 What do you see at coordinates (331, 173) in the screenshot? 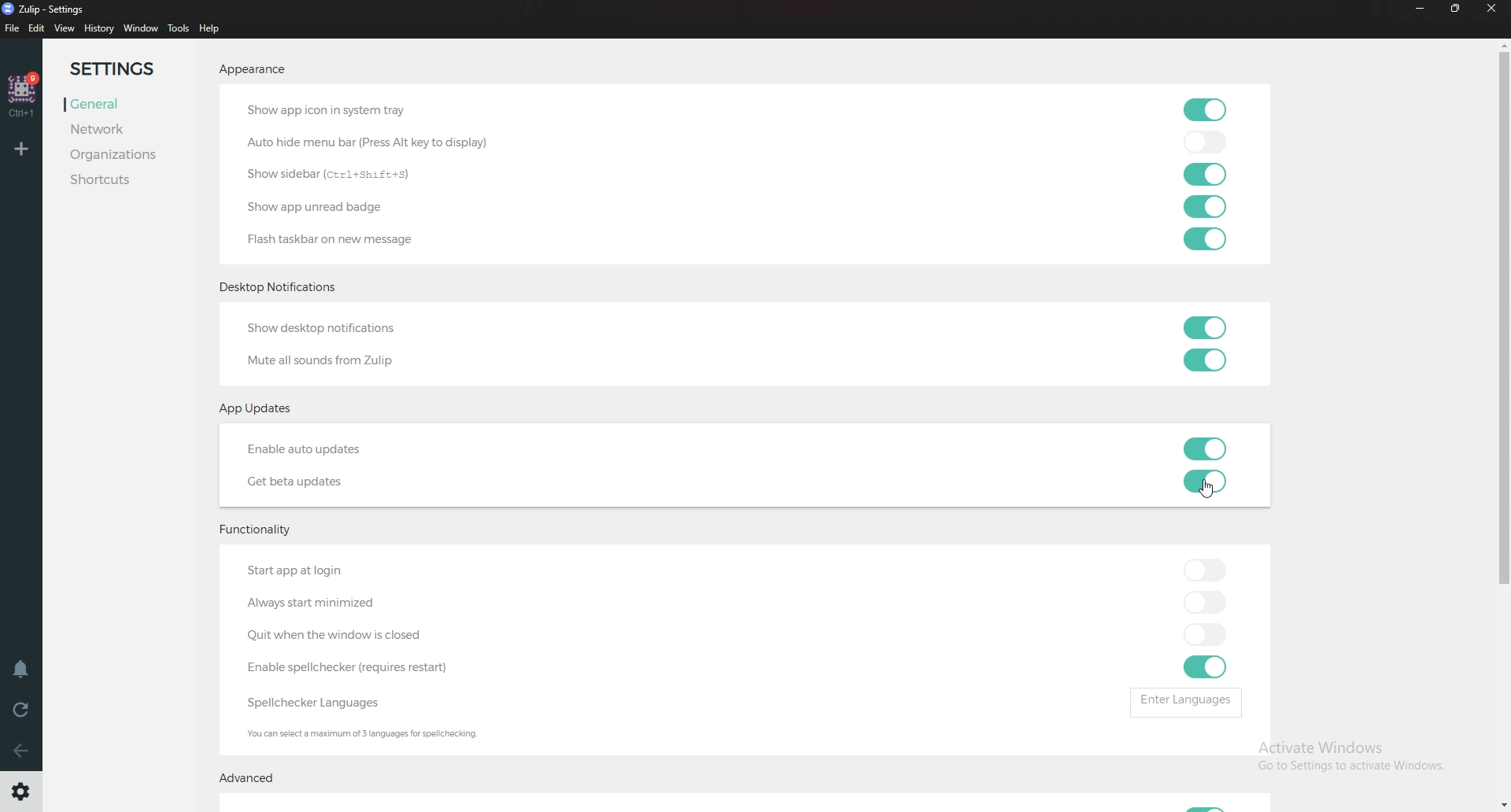
I see `show sidebar` at bounding box center [331, 173].